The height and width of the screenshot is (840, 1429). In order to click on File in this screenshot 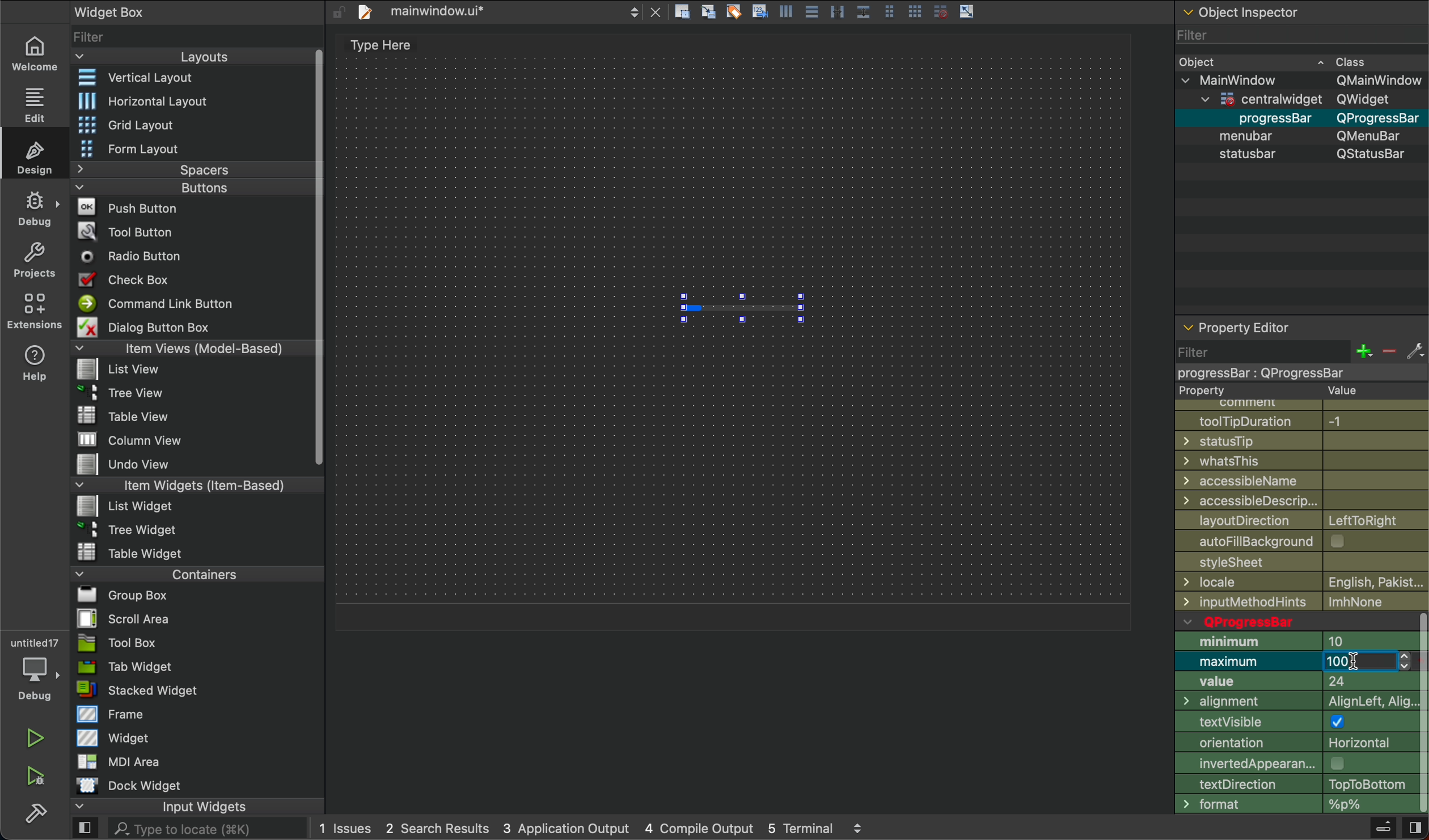, I will do `click(126, 505)`.